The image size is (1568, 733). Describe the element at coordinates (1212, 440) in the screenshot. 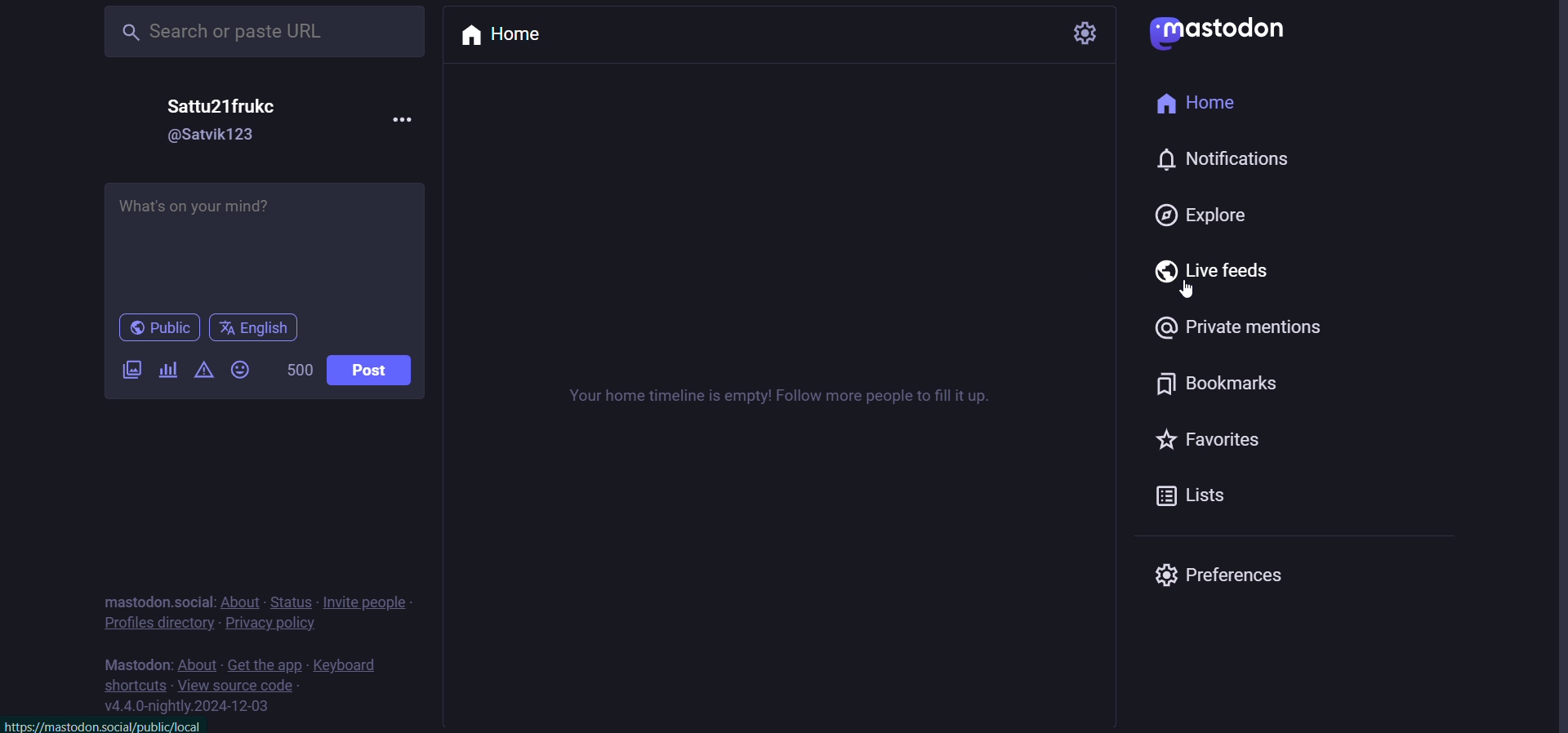

I see `favorites` at that location.